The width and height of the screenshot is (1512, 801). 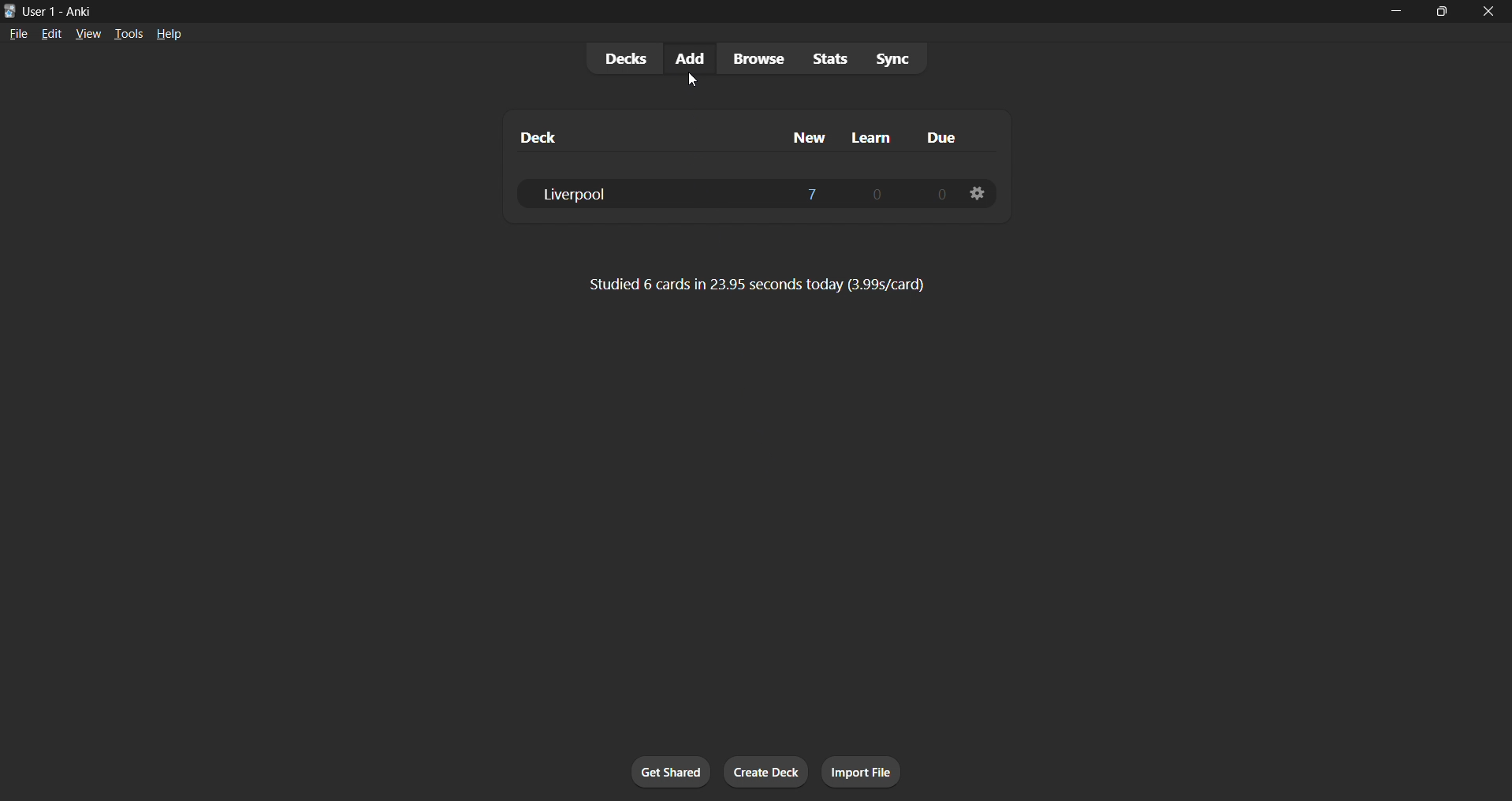 What do you see at coordinates (688, 80) in the screenshot?
I see `Cursor` at bounding box center [688, 80].